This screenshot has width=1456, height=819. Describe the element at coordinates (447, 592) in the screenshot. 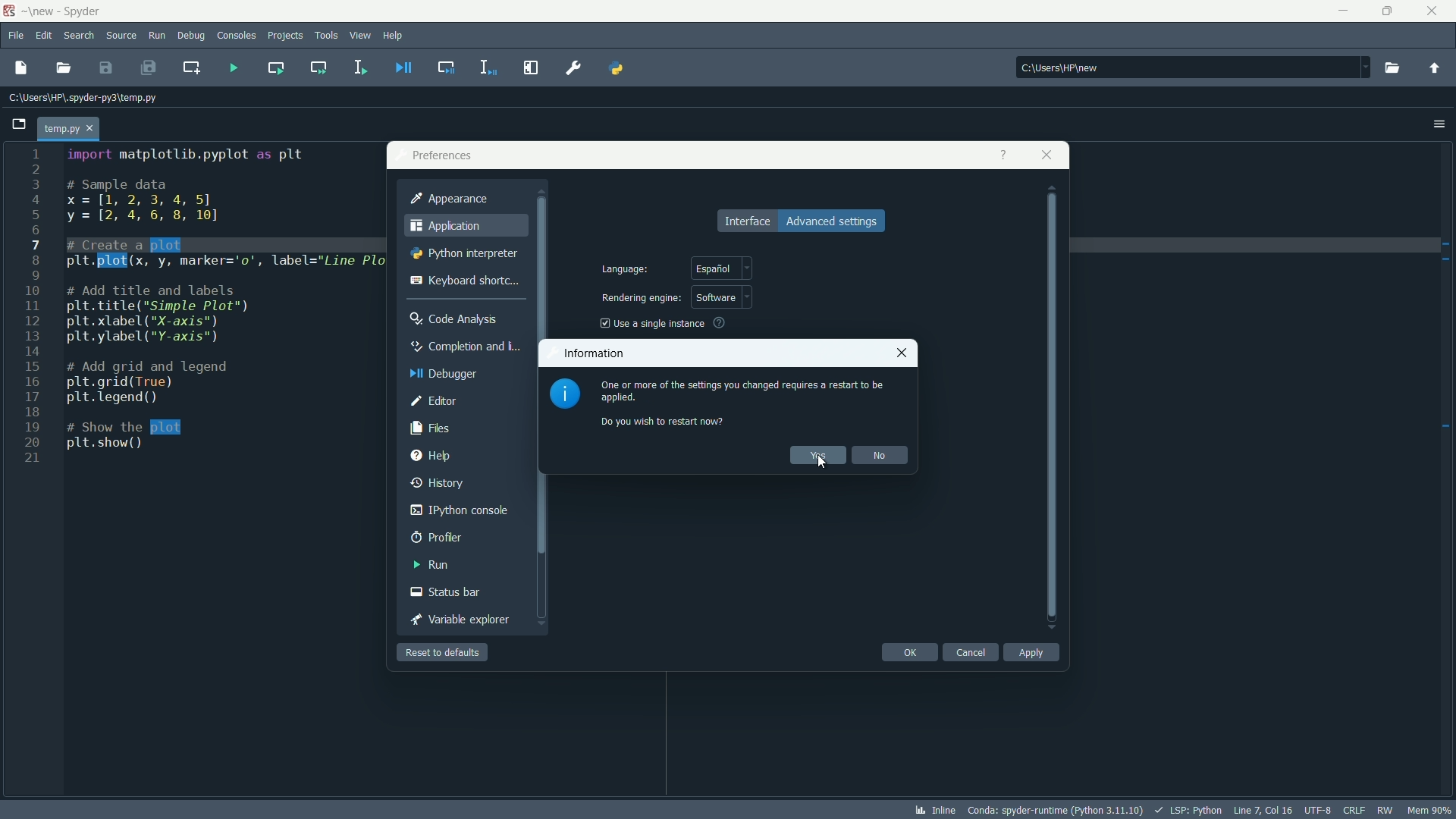

I see `status bar` at that location.